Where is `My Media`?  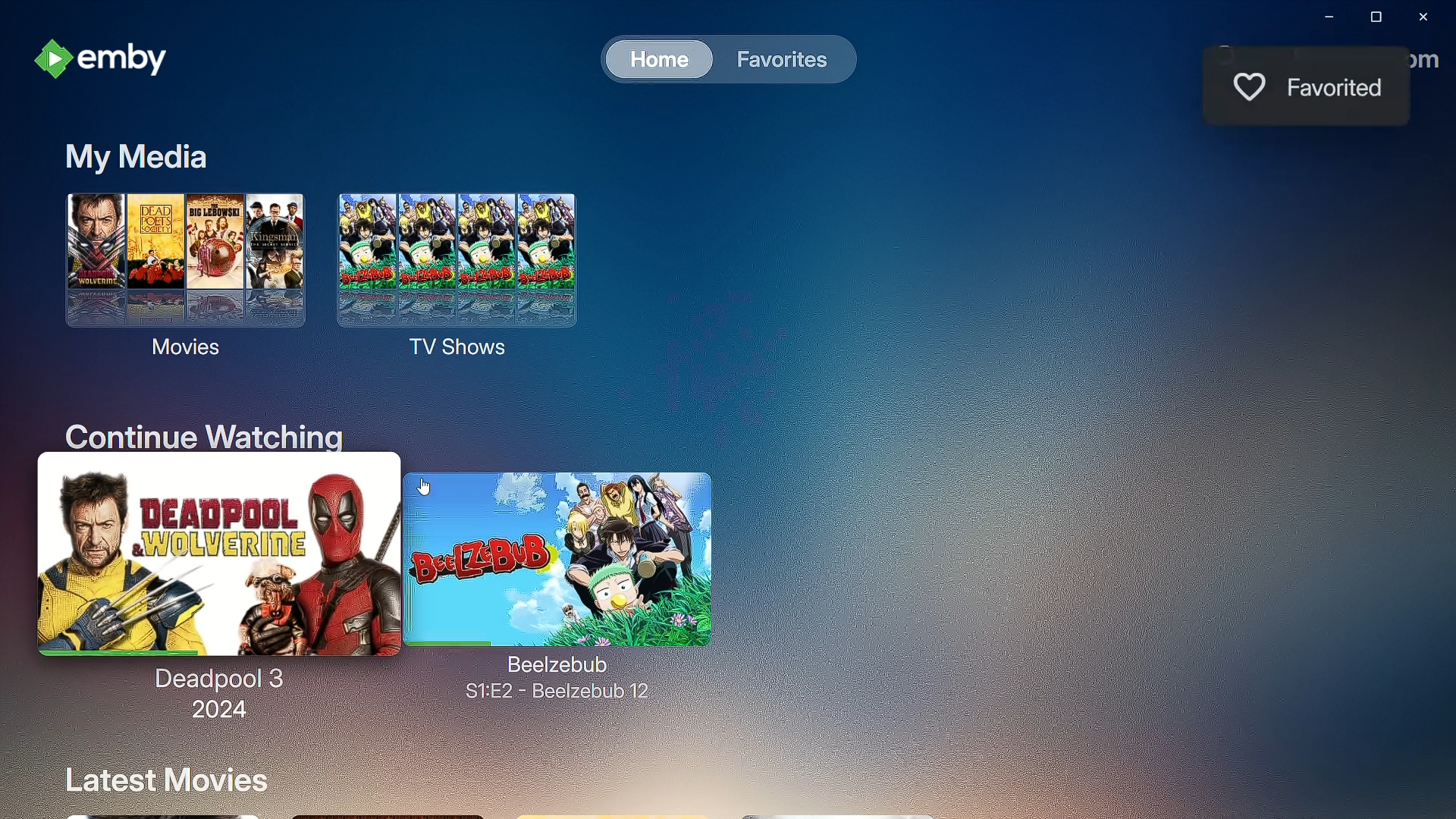
My Media is located at coordinates (130, 155).